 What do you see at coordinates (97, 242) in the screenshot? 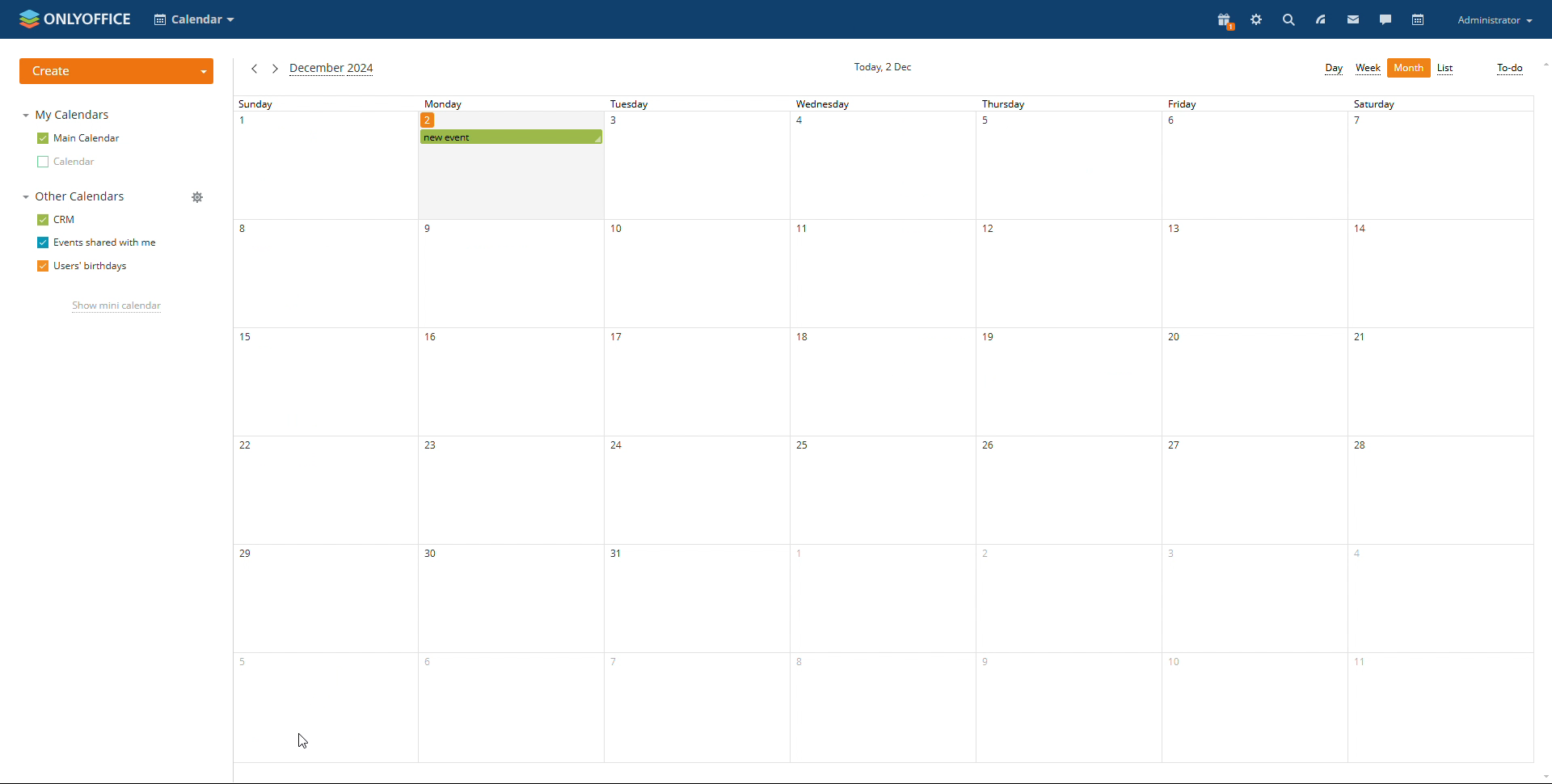
I see `events shared with me` at bounding box center [97, 242].